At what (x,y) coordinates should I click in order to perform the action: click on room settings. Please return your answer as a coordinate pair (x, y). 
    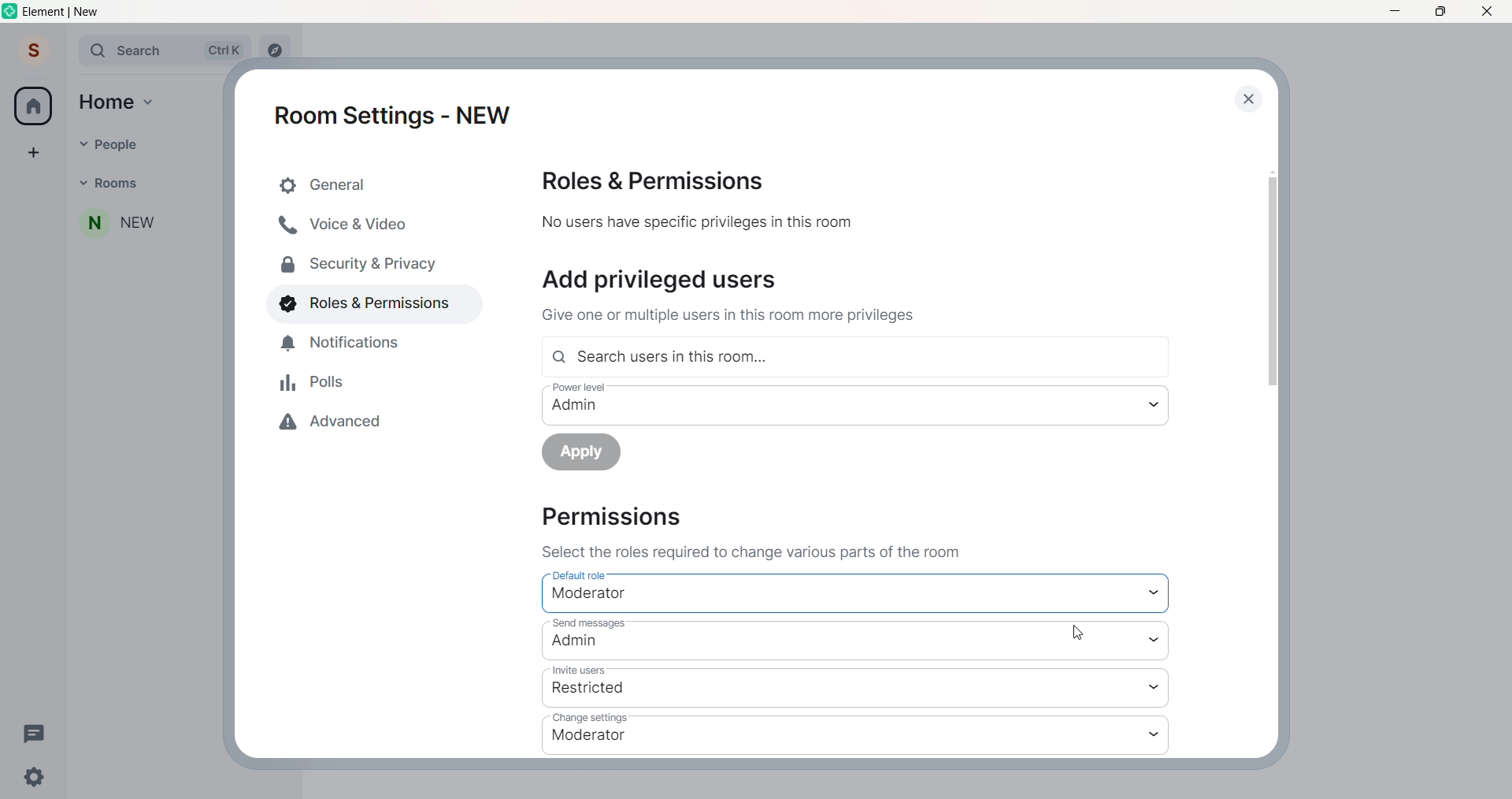
    Looking at the image, I should click on (397, 113).